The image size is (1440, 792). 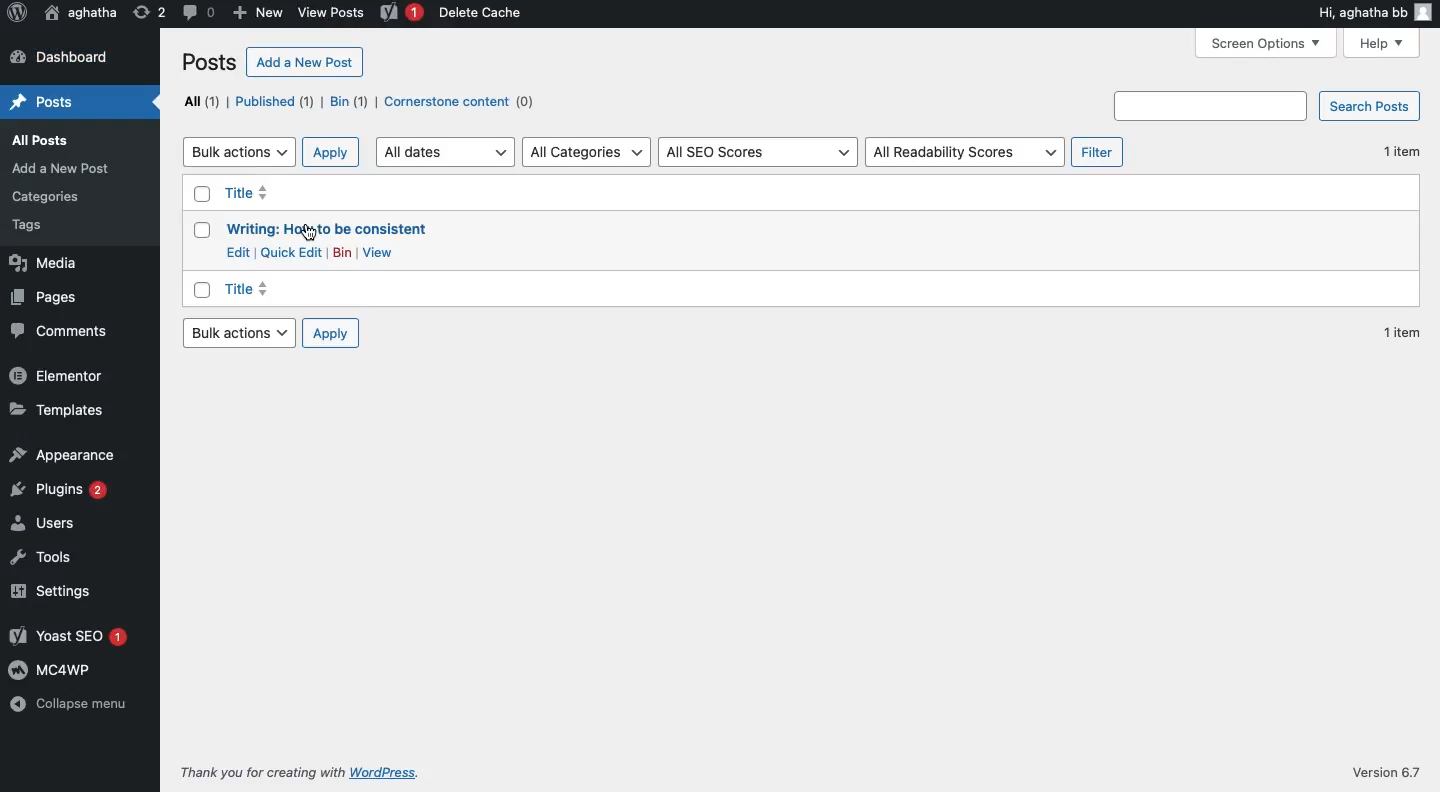 I want to click on 1 item, so click(x=1397, y=333).